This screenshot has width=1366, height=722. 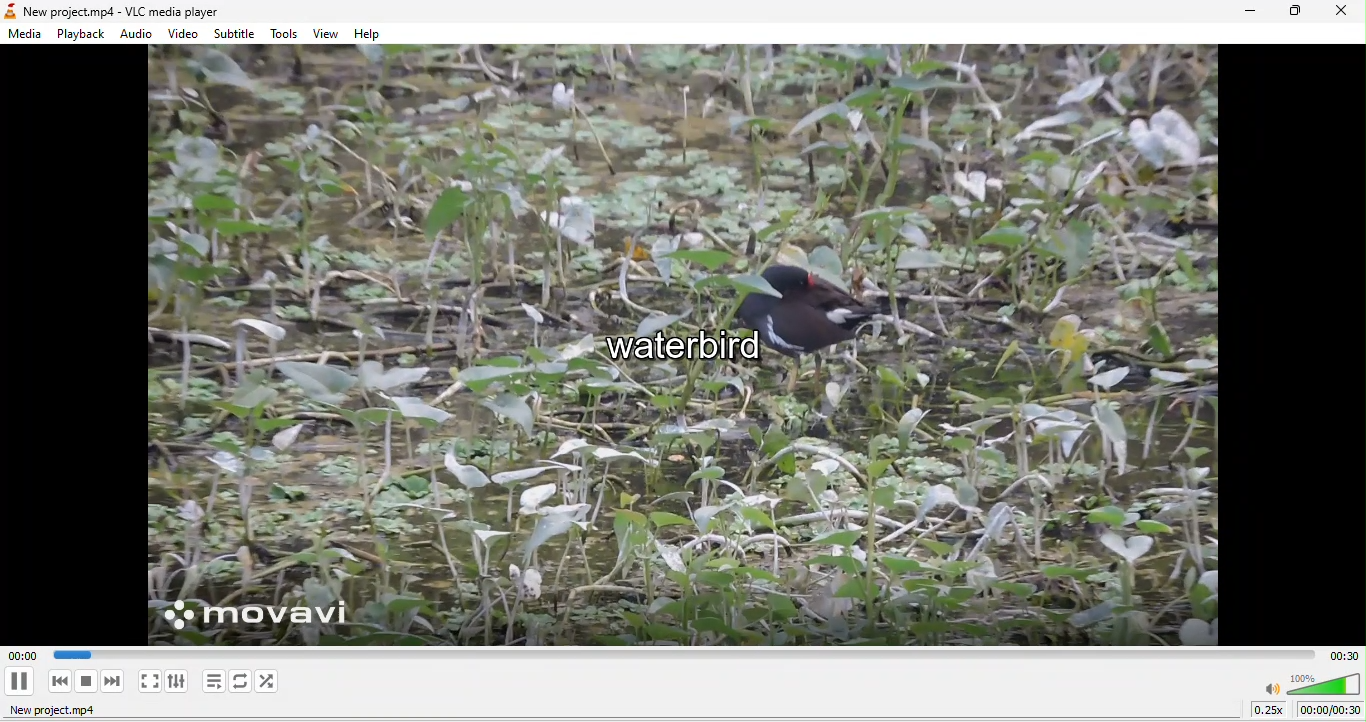 What do you see at coordinates (1290, 14) in the screenshot?
I see `maximize` at bounding box center [1290, 14].